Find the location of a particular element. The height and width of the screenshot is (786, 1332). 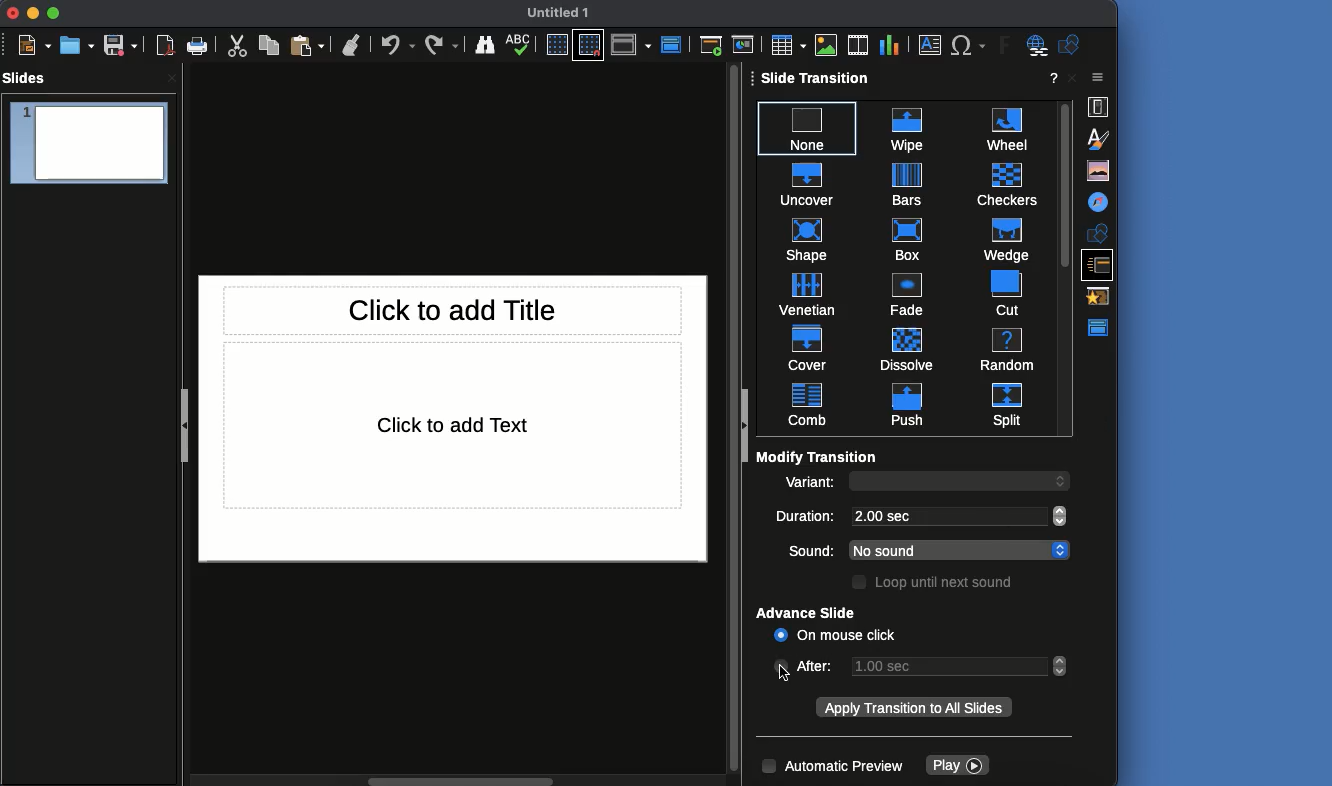

Collapse is located at coordinates (748, 426).